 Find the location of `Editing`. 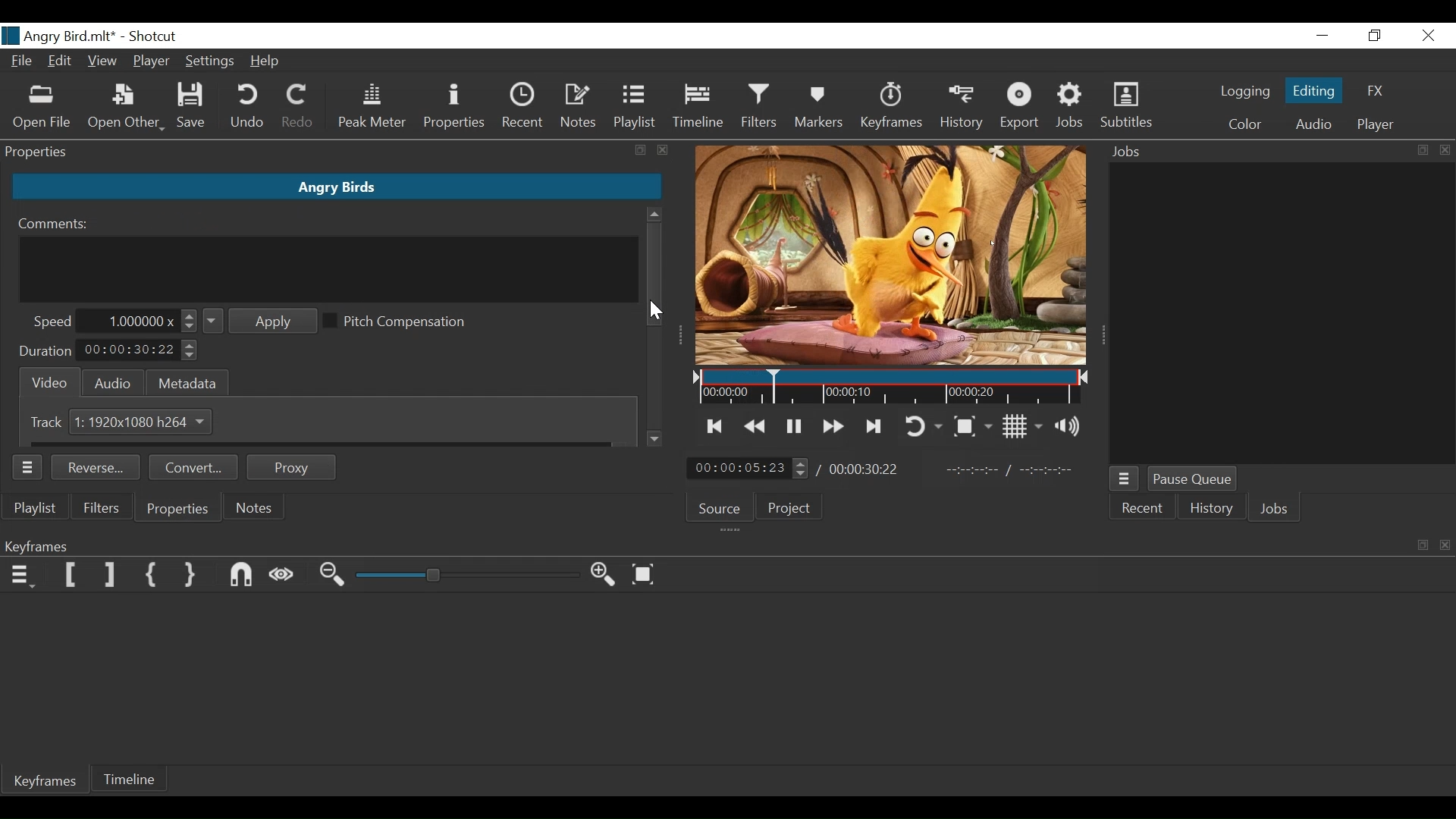

Editing is located at coordinates (1311, 90).